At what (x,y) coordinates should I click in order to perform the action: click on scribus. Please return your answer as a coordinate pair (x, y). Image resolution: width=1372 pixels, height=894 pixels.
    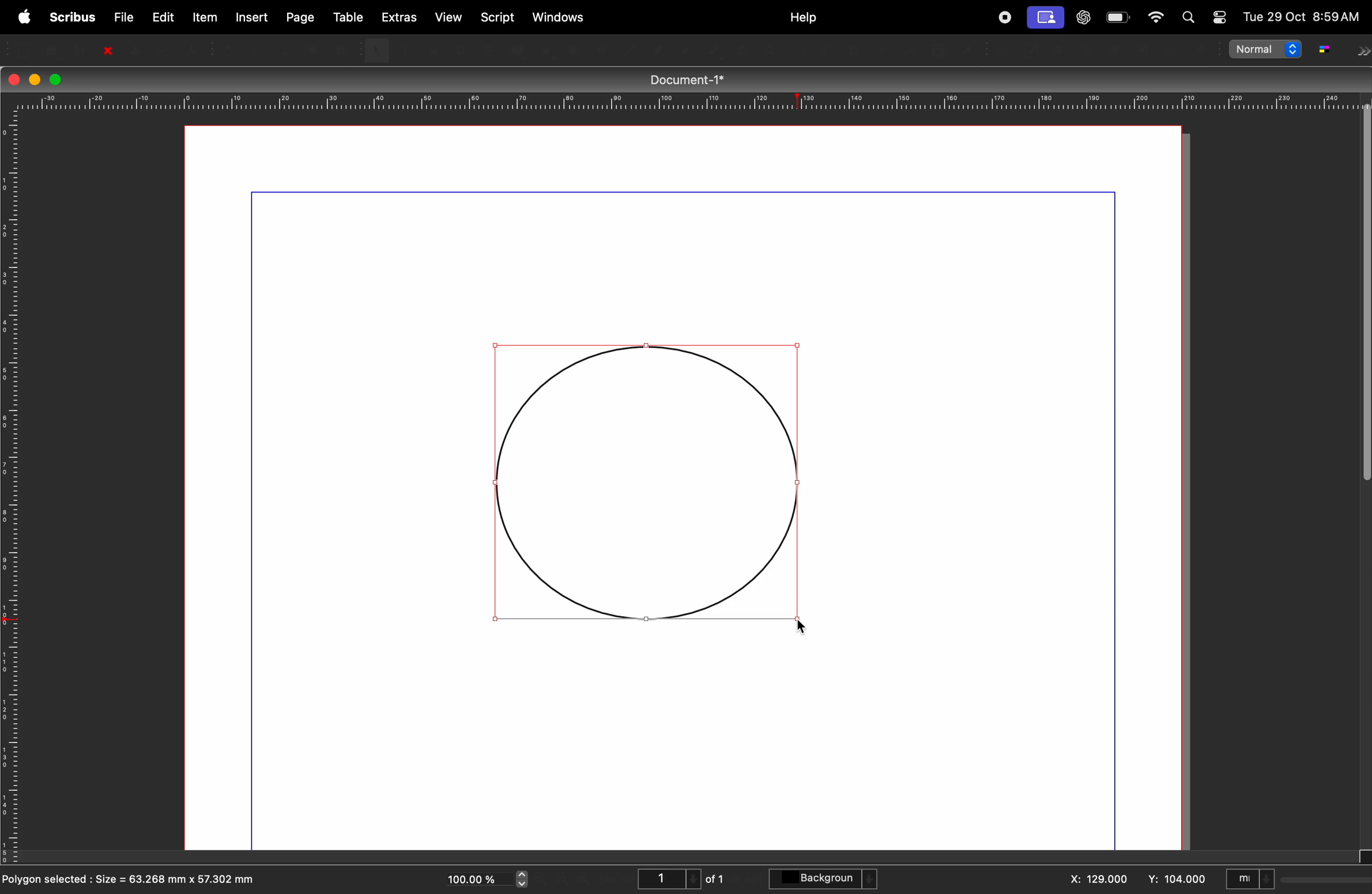
    Looking at the image, I should click on (70, 17).